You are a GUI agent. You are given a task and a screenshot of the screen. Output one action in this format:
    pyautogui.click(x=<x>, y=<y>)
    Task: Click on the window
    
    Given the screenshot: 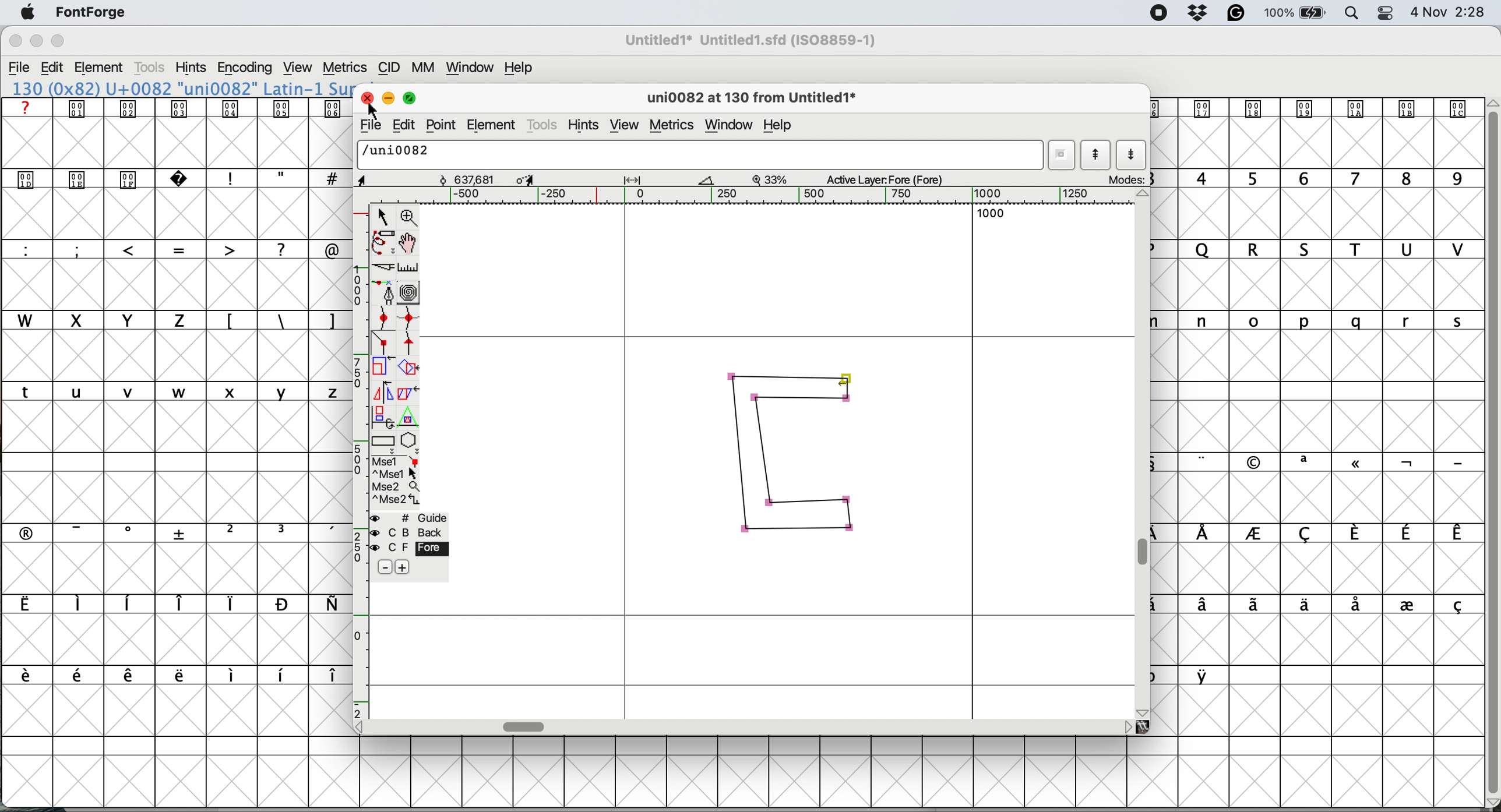 What is the action you would take?
    pyautogui.click(x=732, y=125)
    